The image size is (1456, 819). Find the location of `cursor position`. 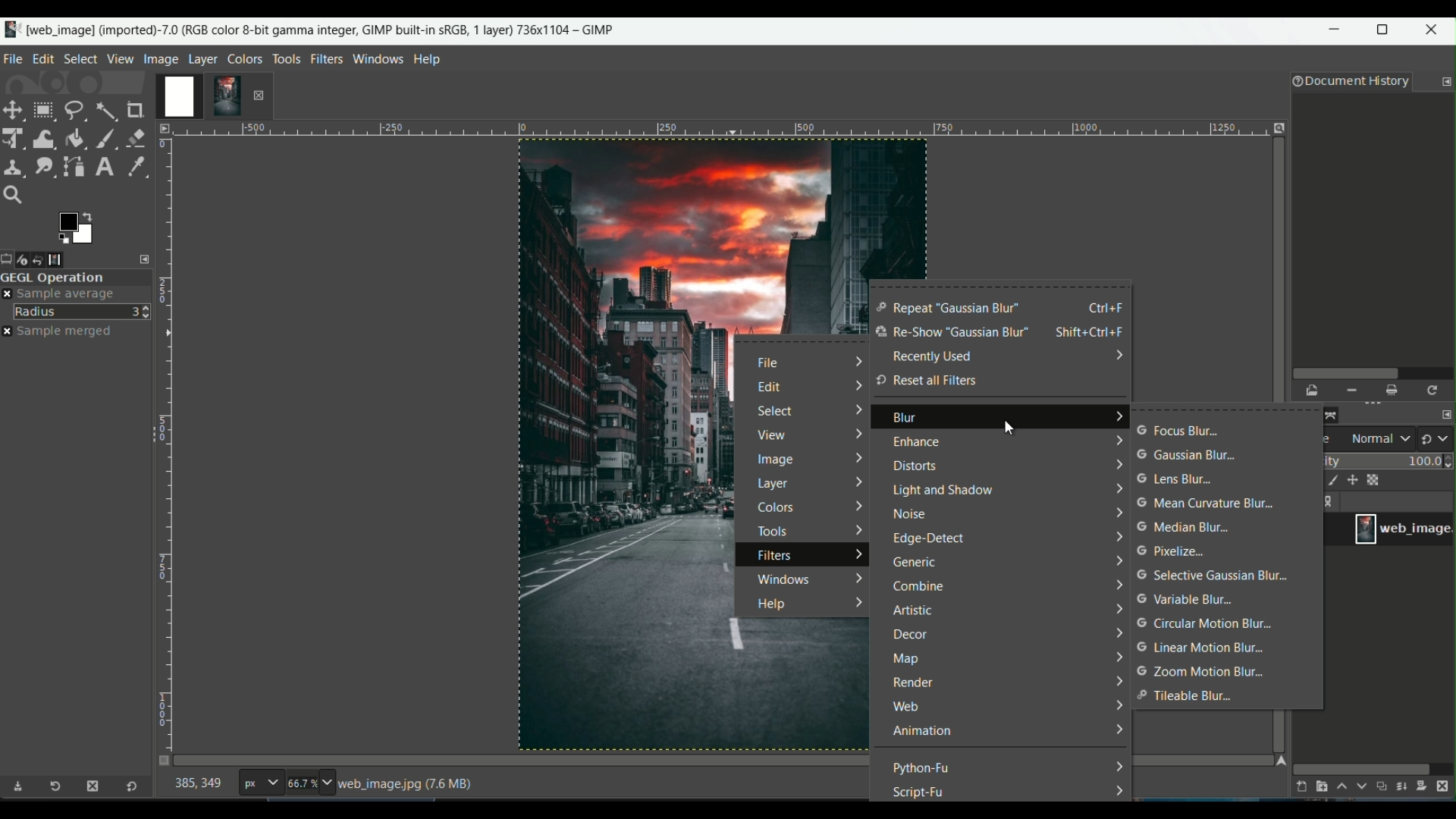

cursor position is located at coordinates (199, 786).